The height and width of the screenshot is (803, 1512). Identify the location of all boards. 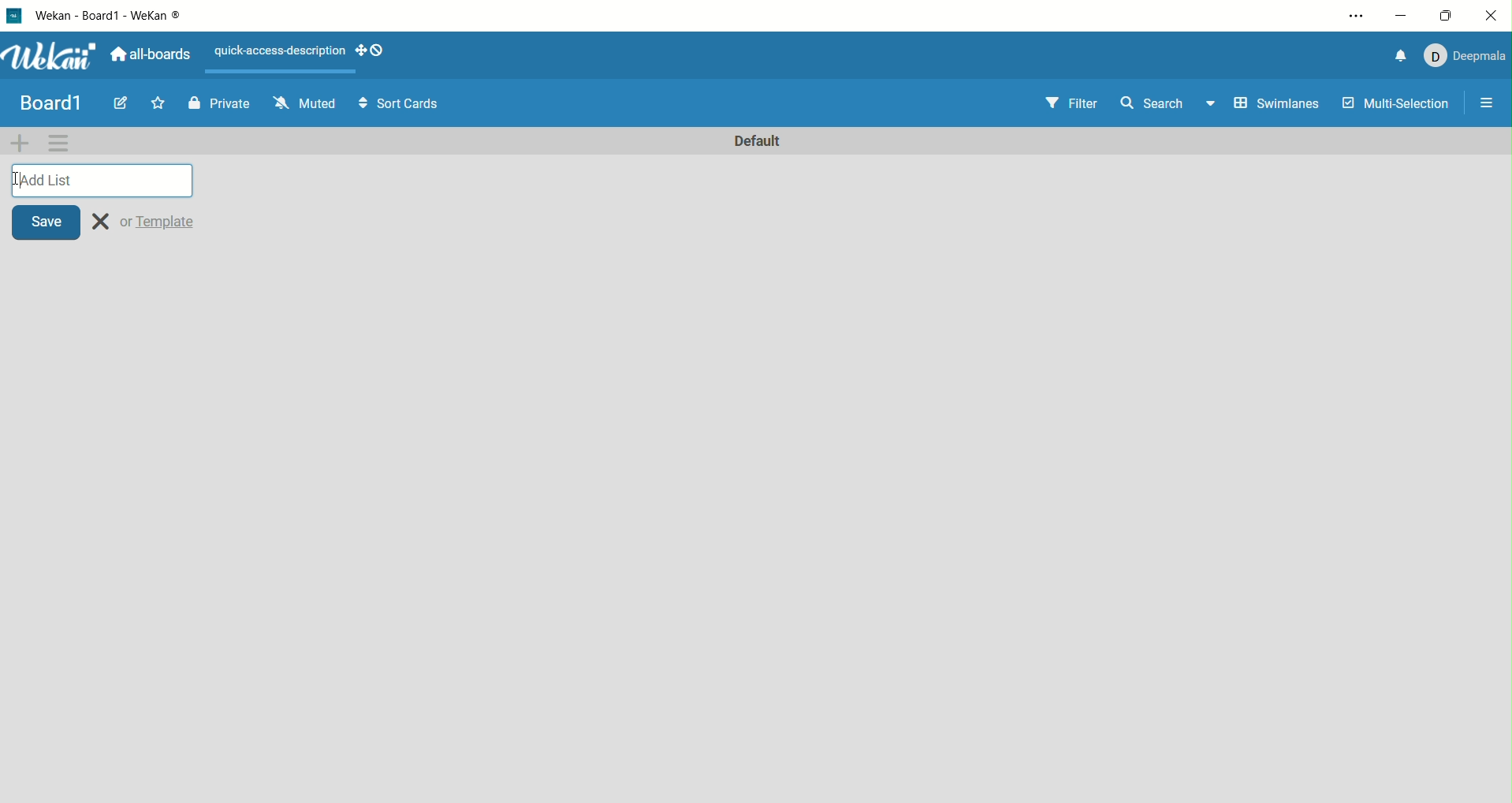
(151, 54).